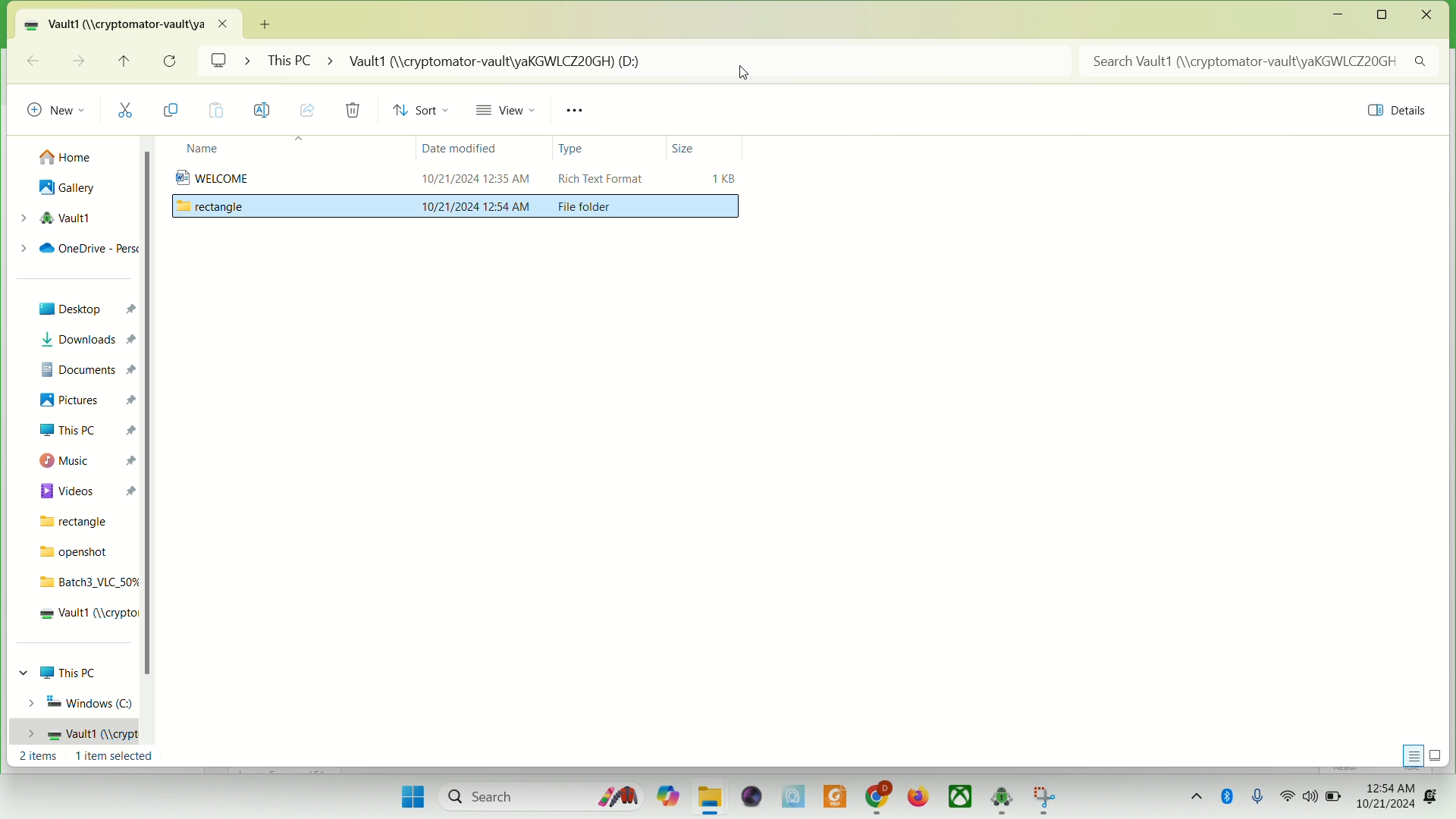 The height and width of the screenshot is (819, 1456). What do you see at coordinates (66, 672) in the screenshot?
I see `This PC` at bounding box center [66, 672].